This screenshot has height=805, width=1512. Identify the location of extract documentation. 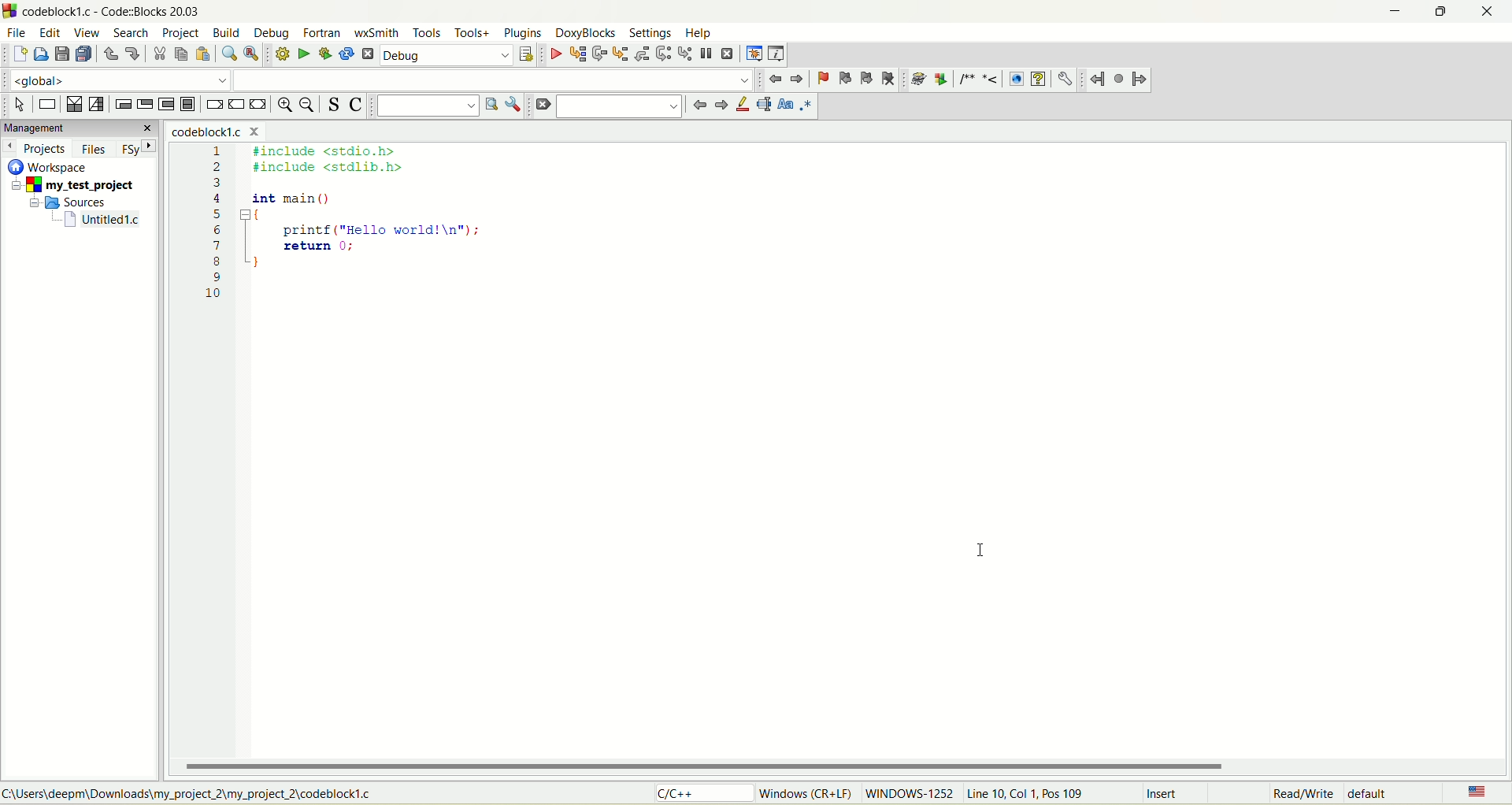
(941, 80).